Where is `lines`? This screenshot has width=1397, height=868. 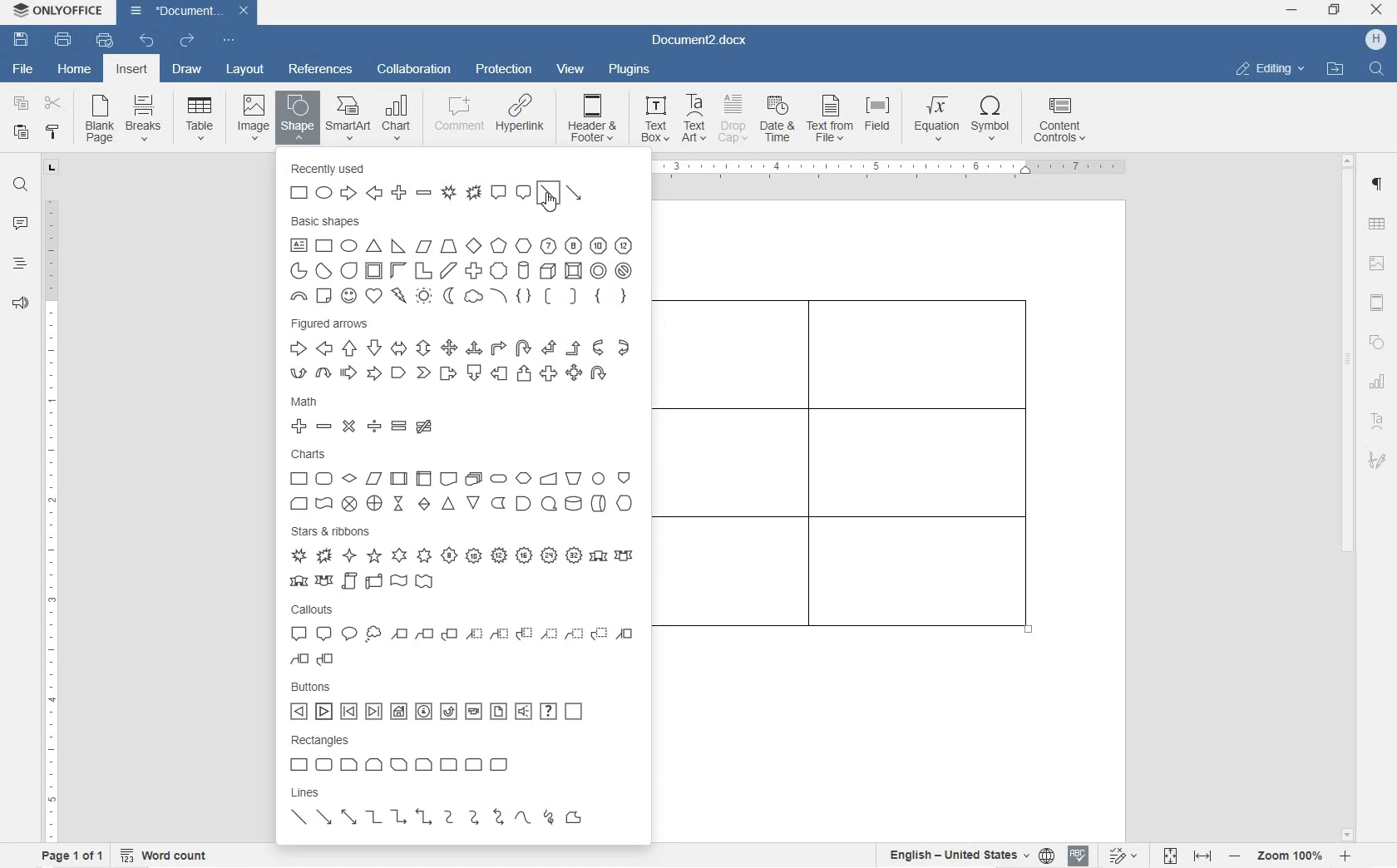 lines is located at coordinates (466, 809).